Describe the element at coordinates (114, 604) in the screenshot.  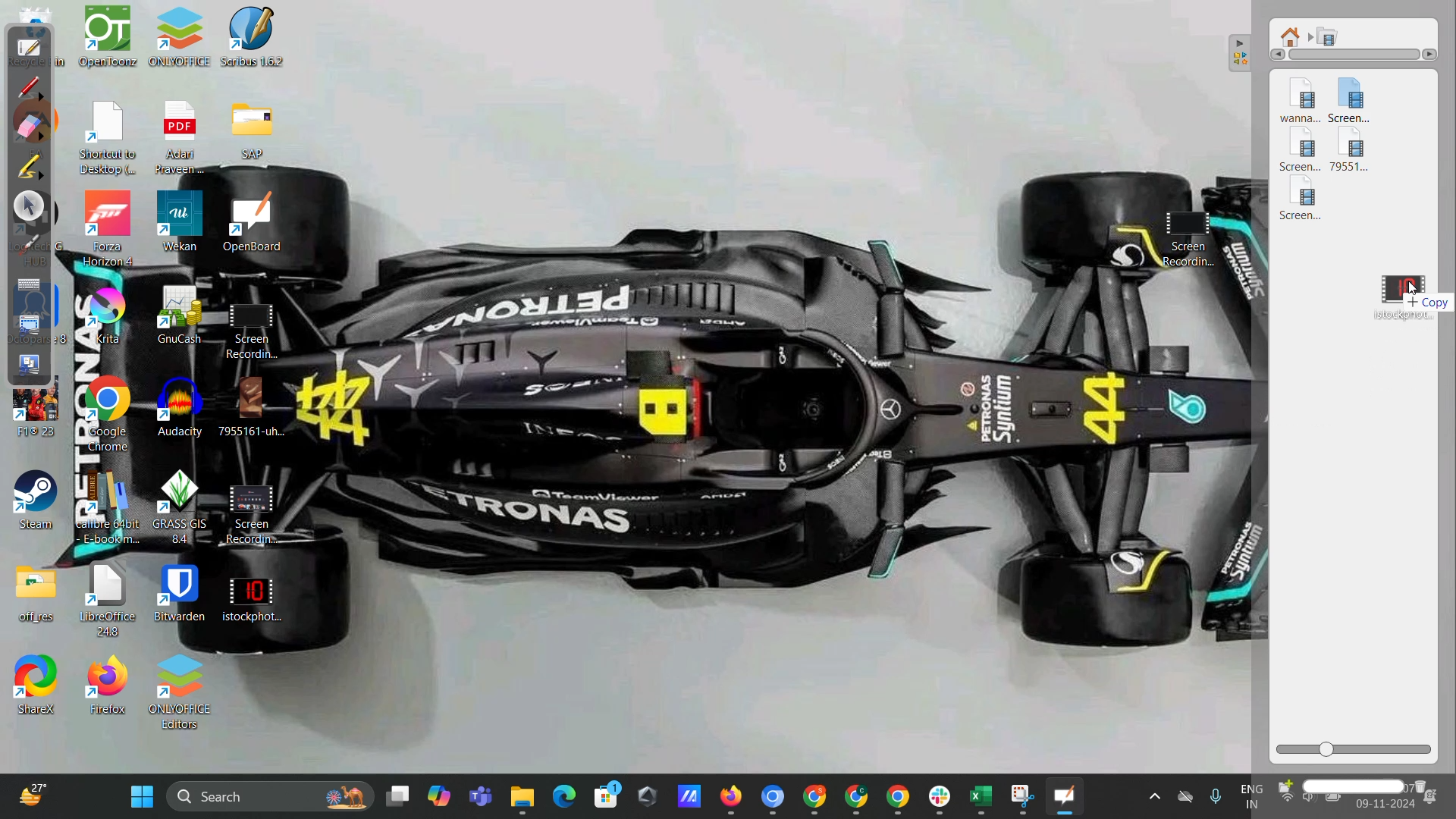
I see `LibreOffice 44.8` at that location.